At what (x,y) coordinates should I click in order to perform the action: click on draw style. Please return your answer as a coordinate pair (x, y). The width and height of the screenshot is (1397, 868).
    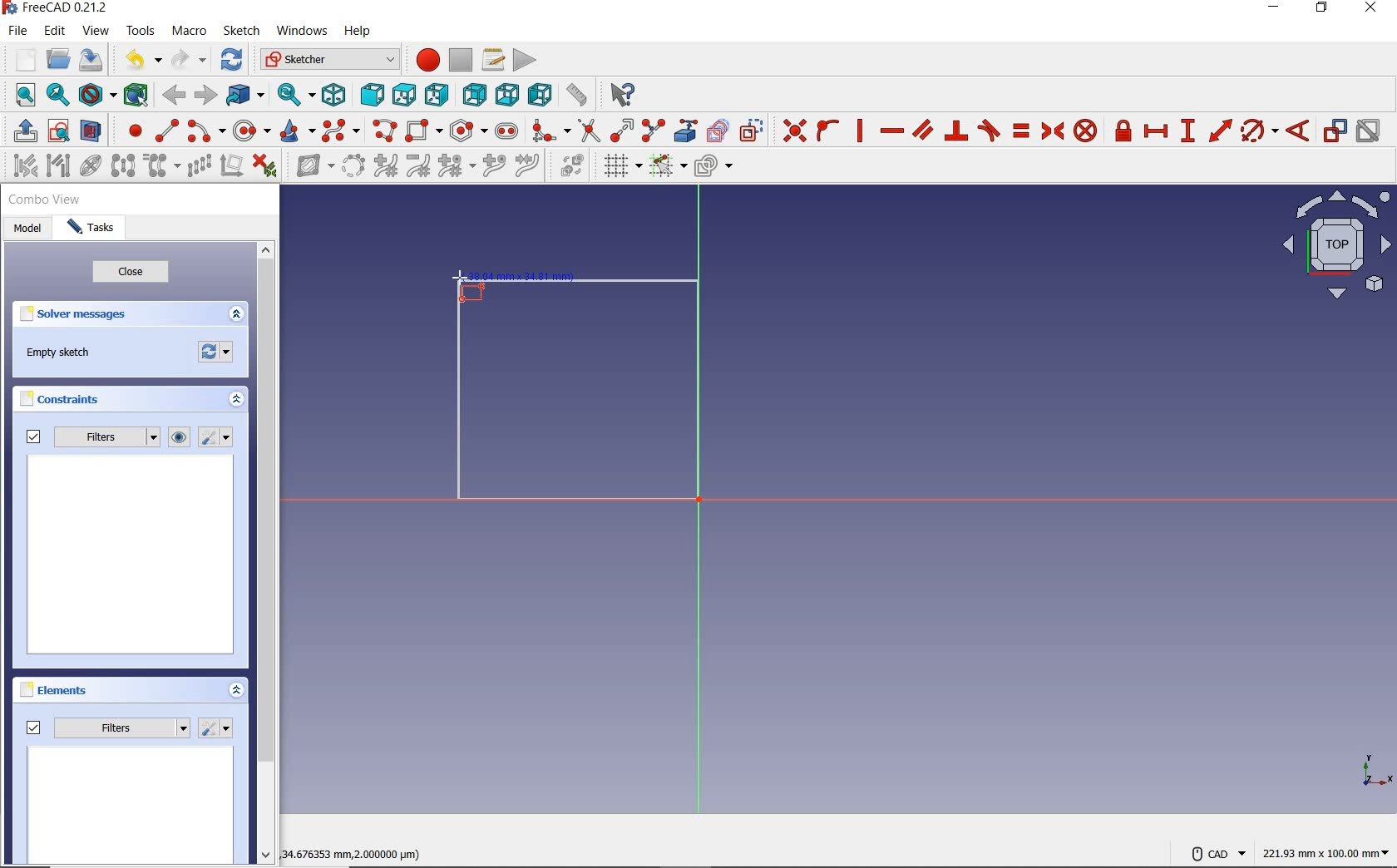
    Looking at the image, I should click on (96, 94).